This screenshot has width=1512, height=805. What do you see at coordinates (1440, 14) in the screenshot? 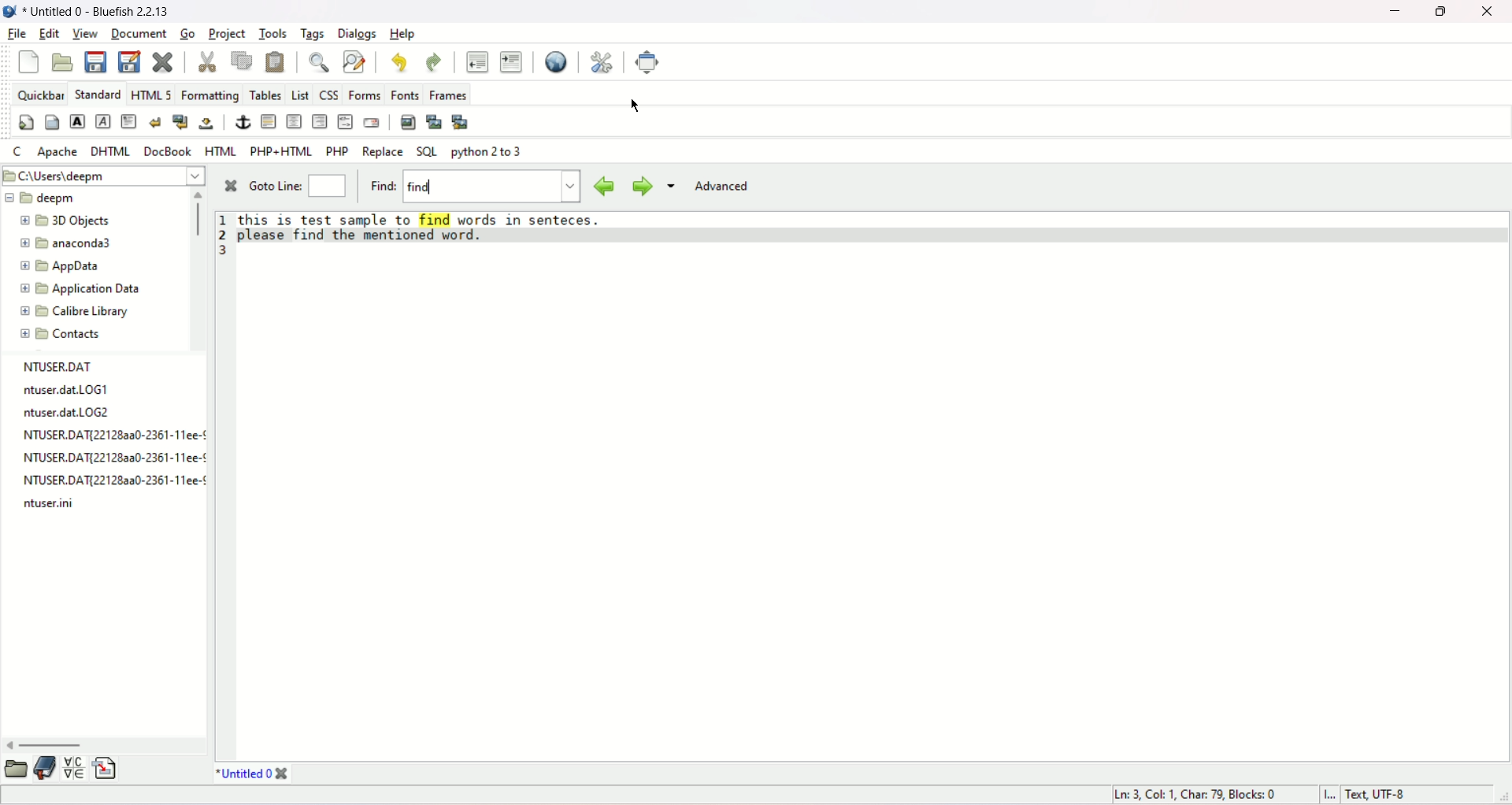
I see `maximize` at bounding box center [1440, 14].